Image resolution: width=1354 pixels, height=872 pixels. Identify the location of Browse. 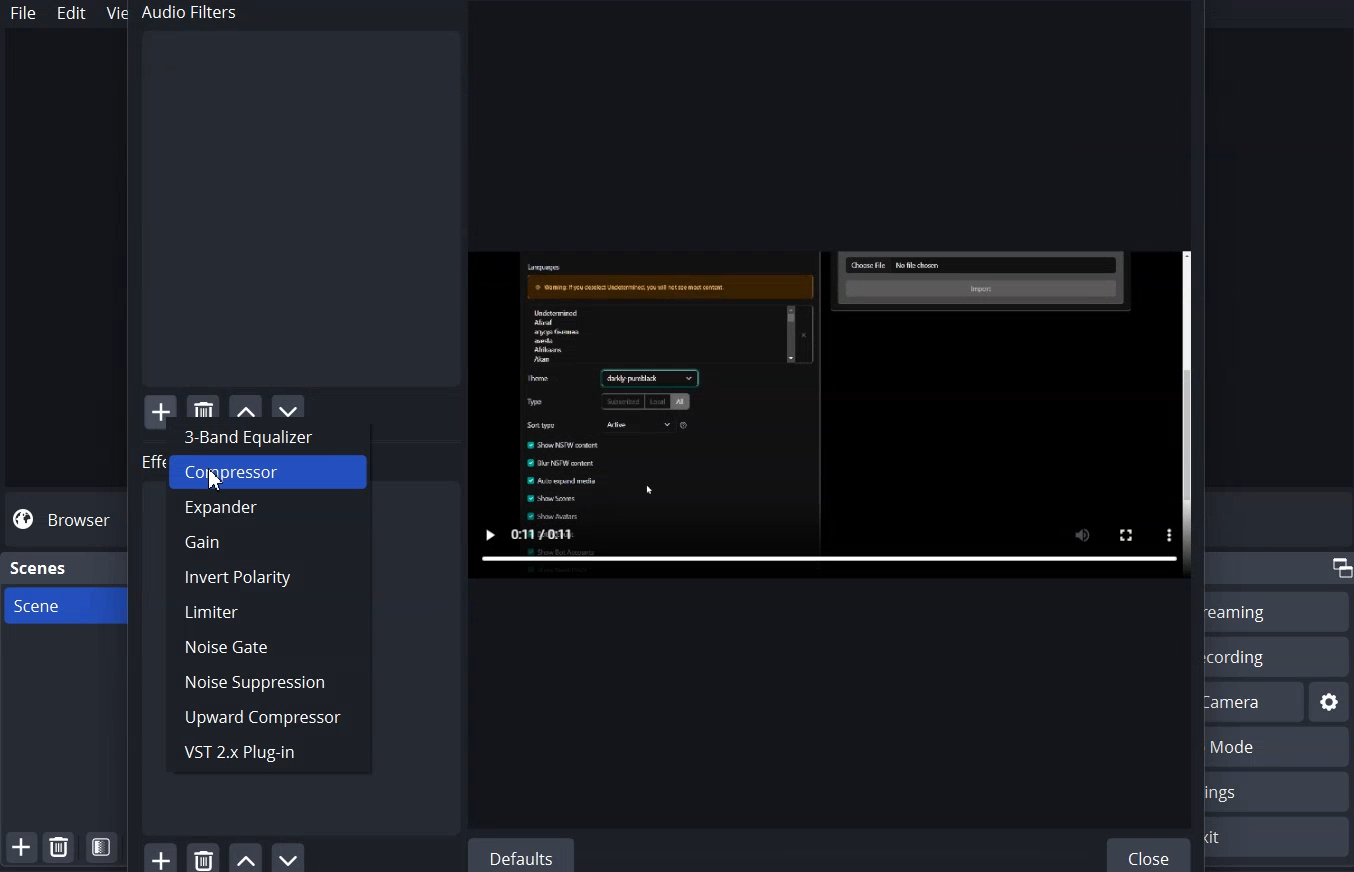
(64, 520).